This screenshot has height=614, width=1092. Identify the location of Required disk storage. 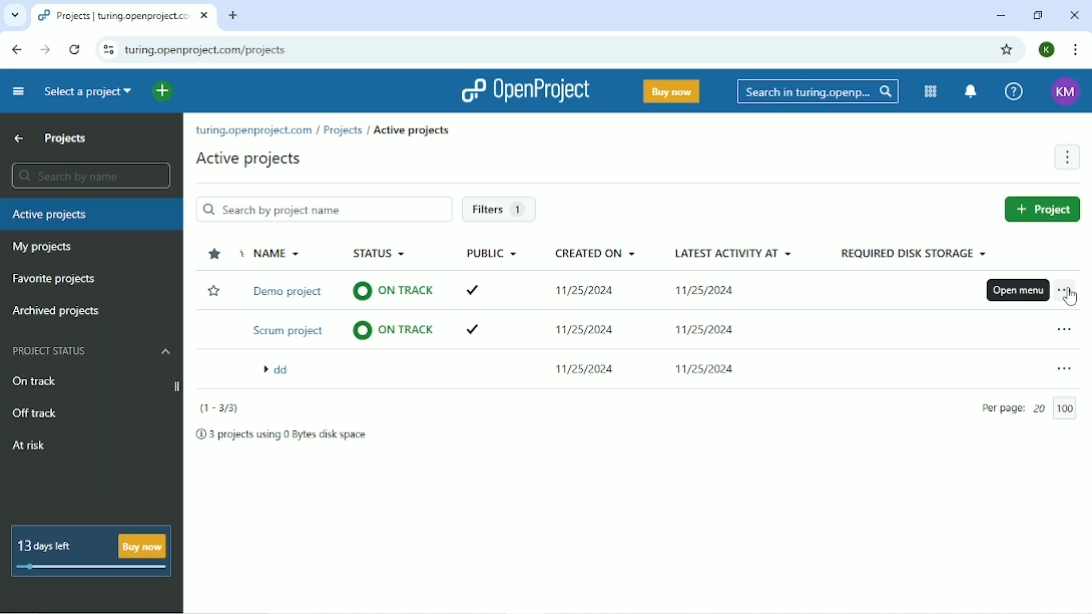
(912, 255).